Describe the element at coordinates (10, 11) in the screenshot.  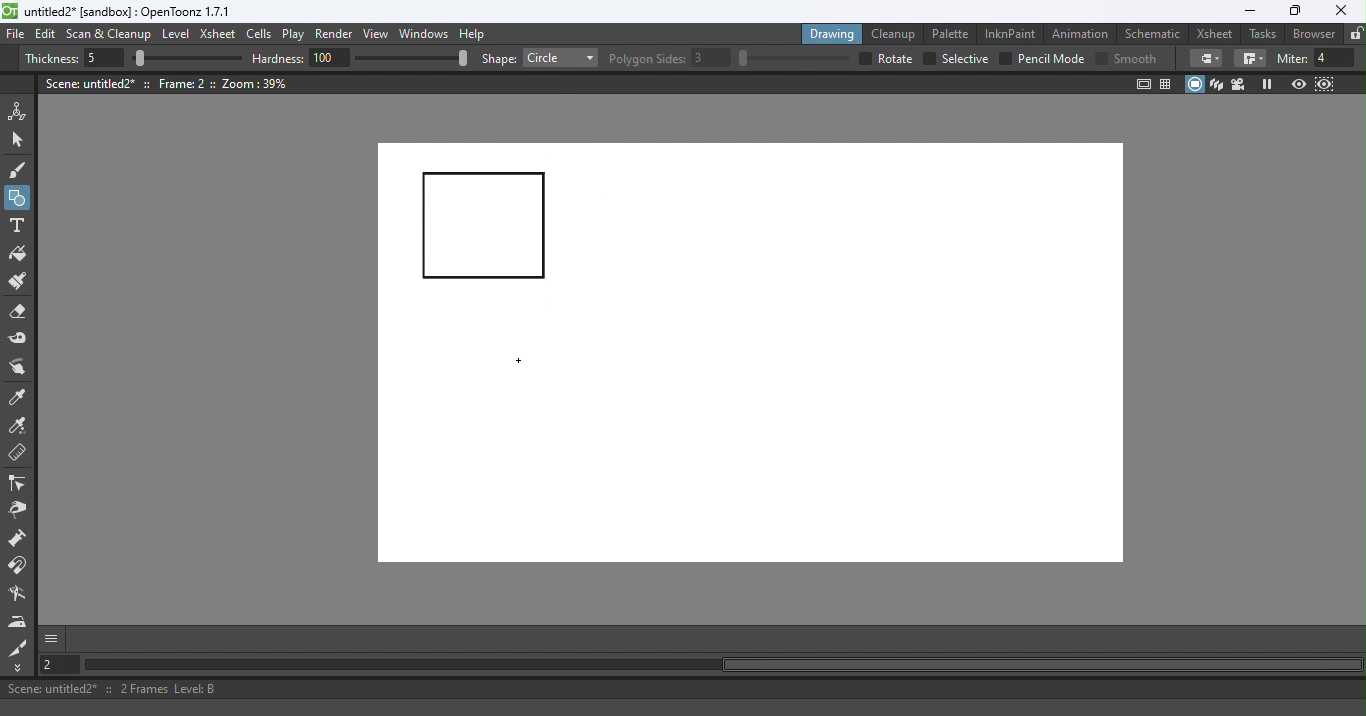
I see `logo` at that location.